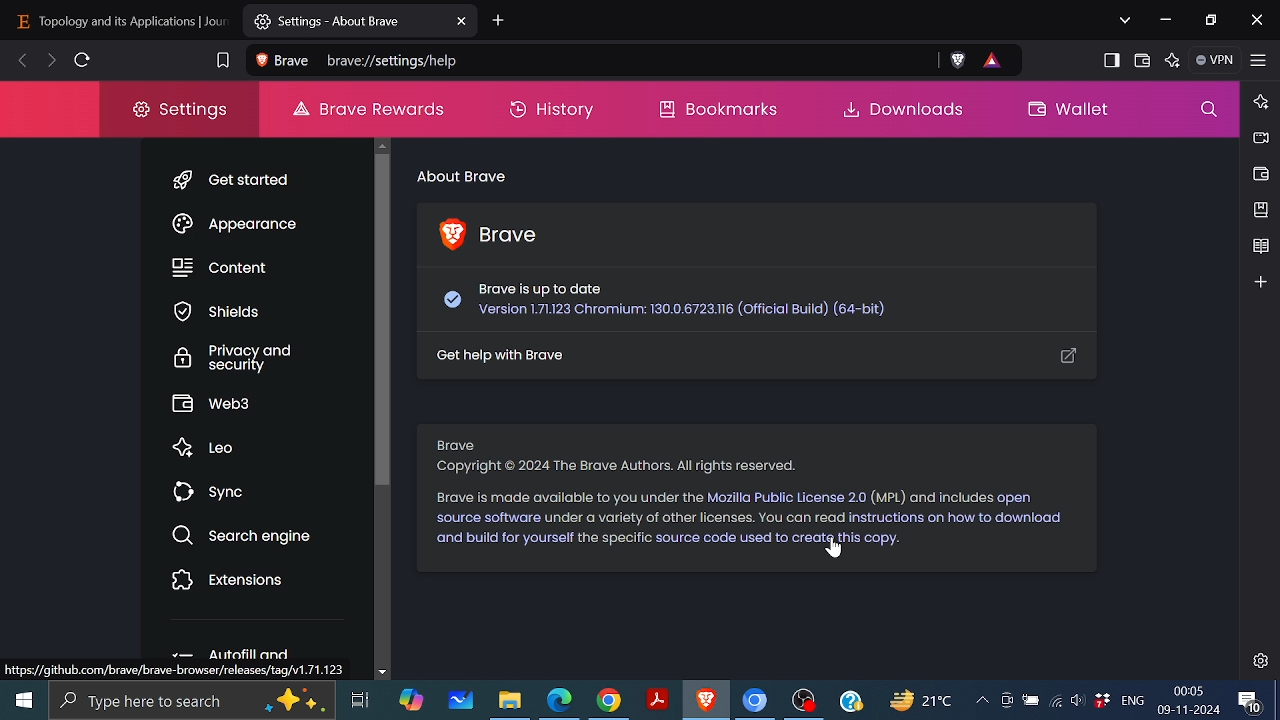 The height and width of the screenshot is (720, 1280). Describe the element at coordinates (1258, 19) in the screenshot. I see `Close window` at that location.